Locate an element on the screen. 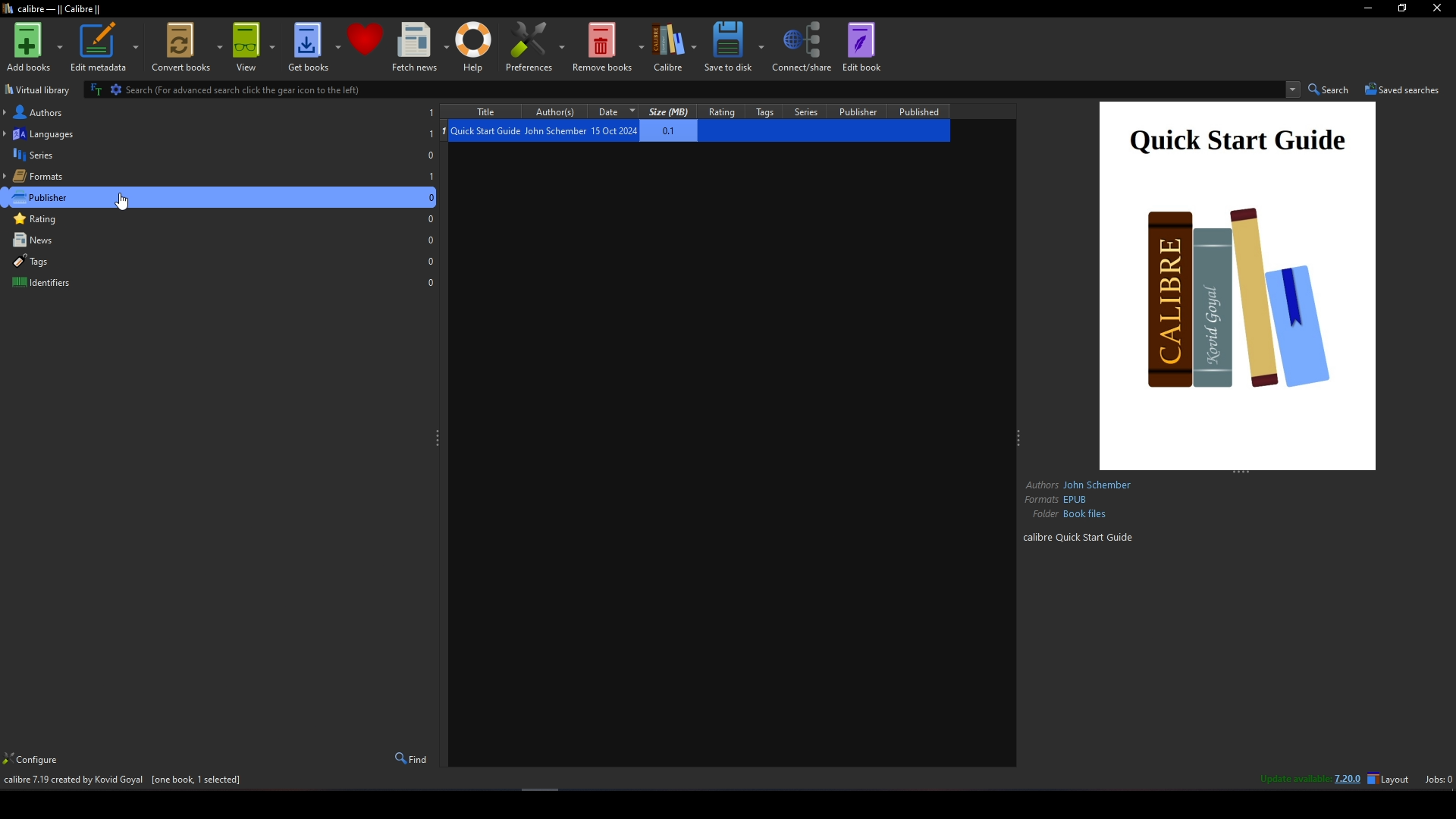 The height and width of the screenshot is (819, 1456). Book id is located at coordinates (1080, 538).